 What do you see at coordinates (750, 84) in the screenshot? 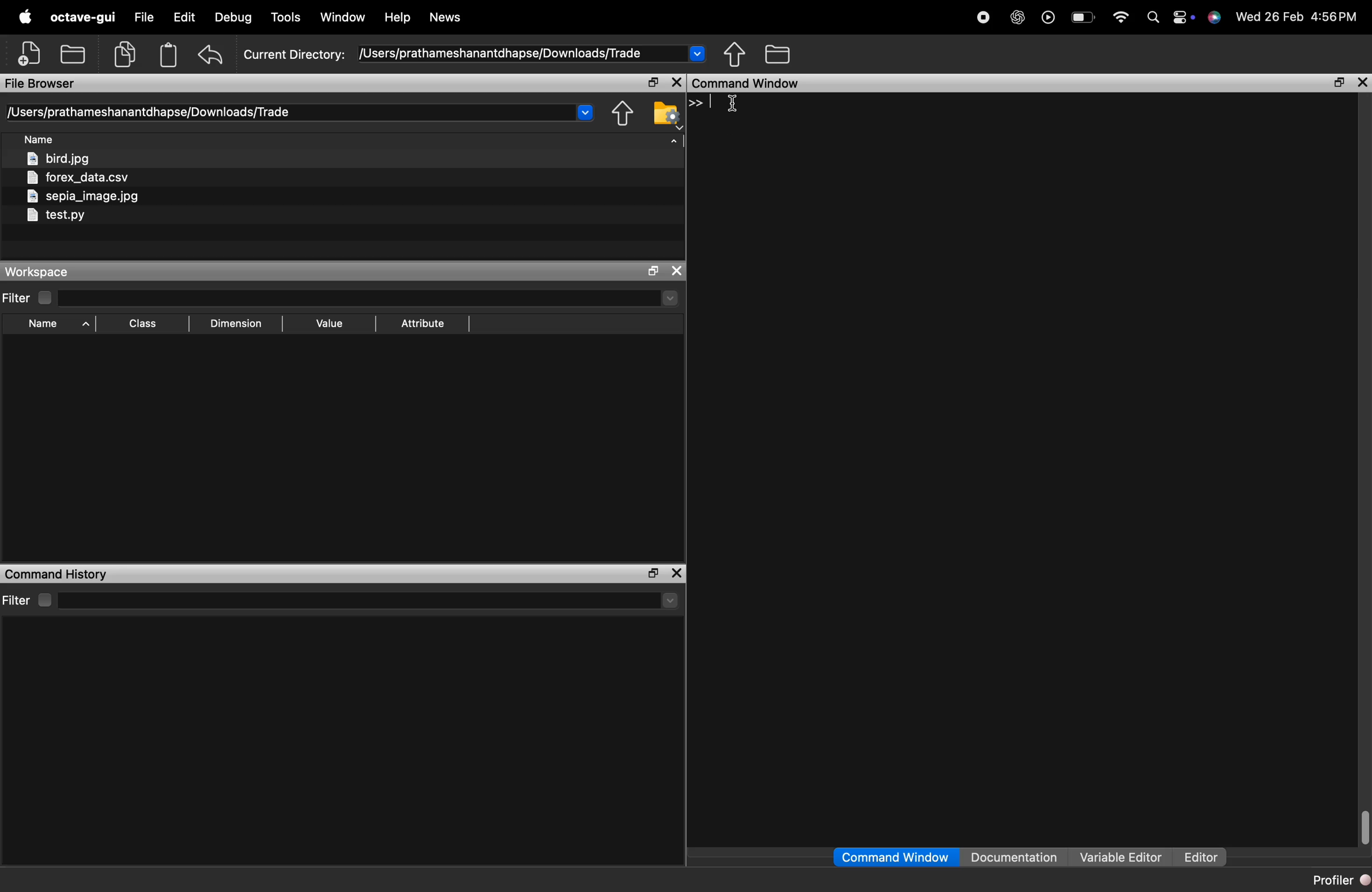
I see `Command Window` at bounding box center [750, 84].